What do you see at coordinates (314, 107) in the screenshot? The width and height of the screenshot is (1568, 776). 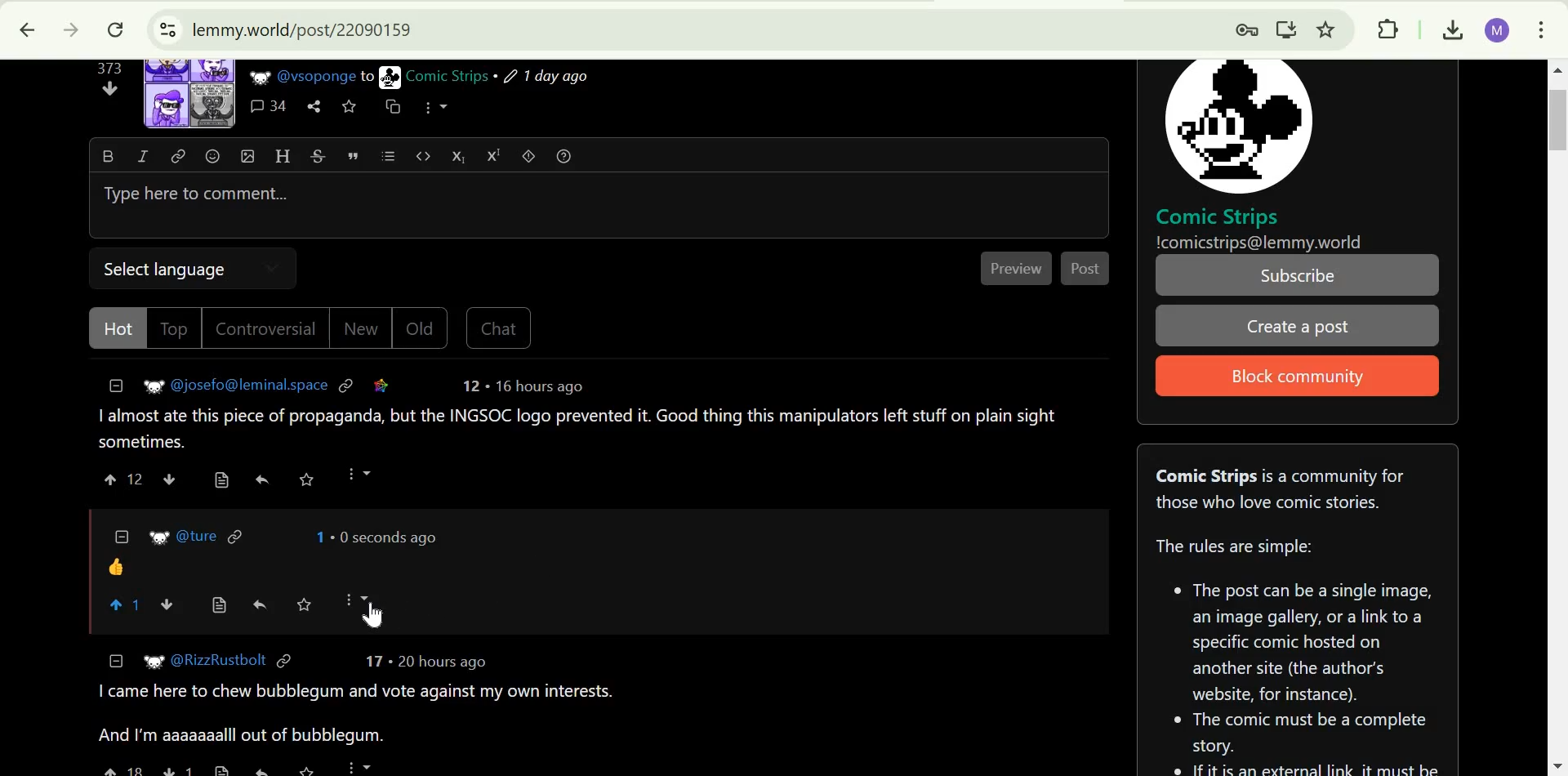 I see `share` at bounding box center [314, 107].